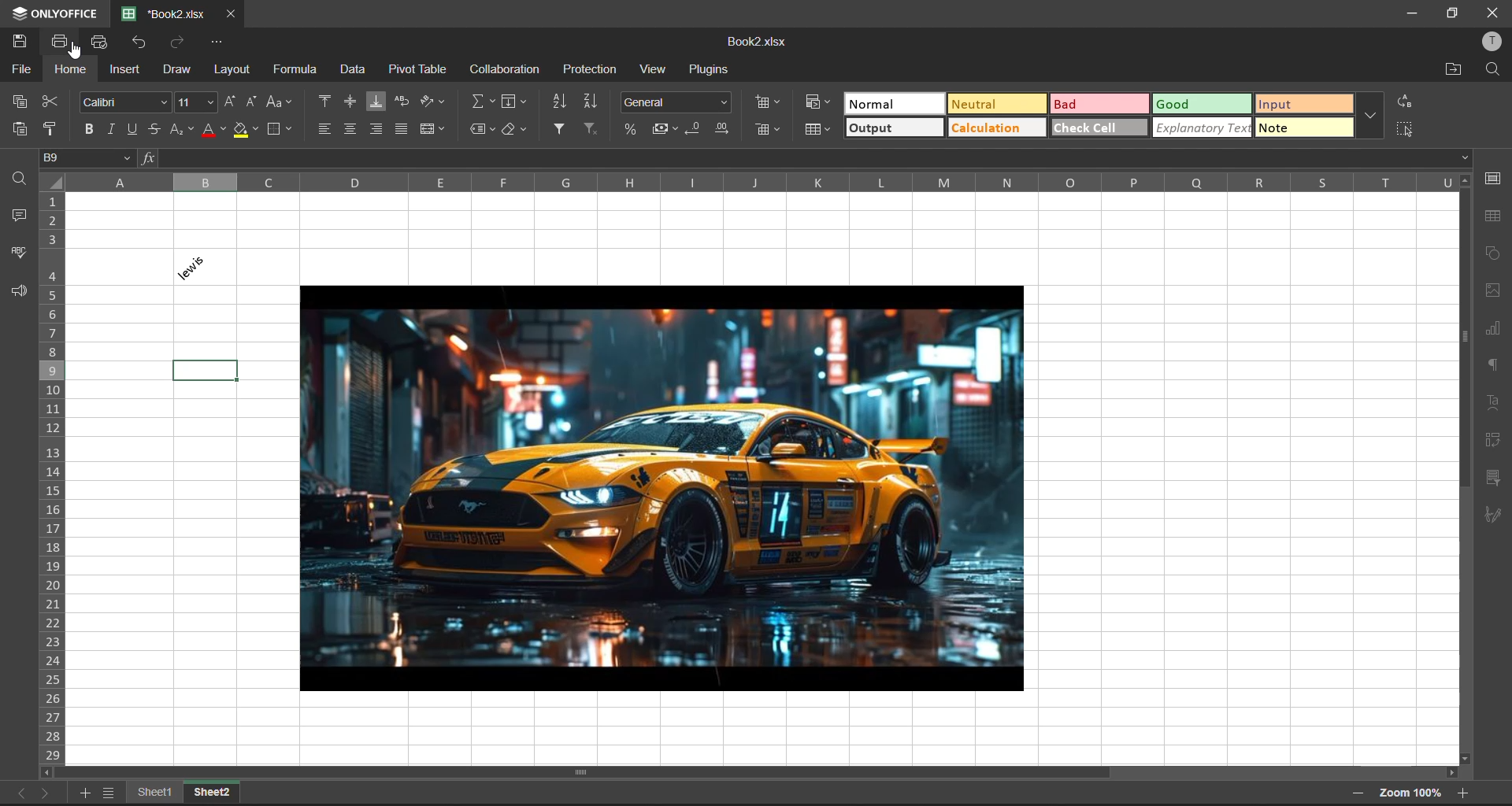 The width and height of the screenshot is (1512, 806). Describe the element at coordinates (1488, 43) in the screenshot. I see `profile` at that location.